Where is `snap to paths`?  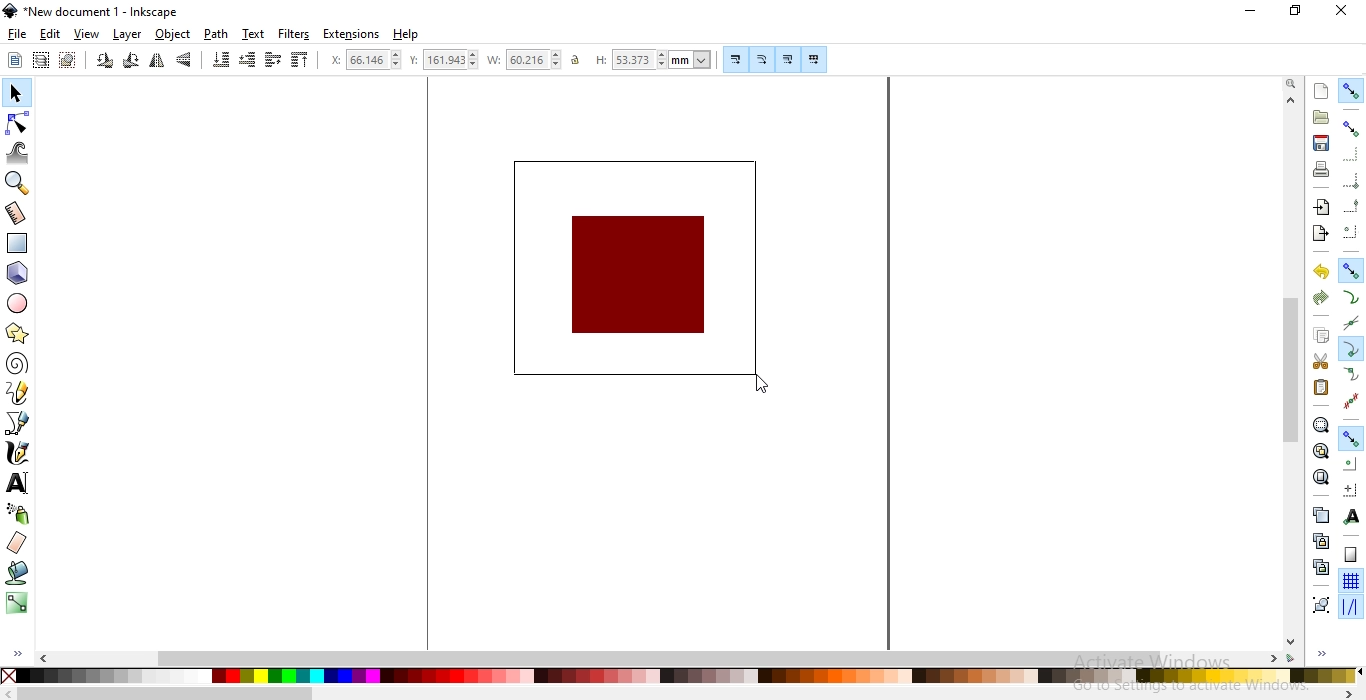
snap to paths is located at coordinates (1352, 297).